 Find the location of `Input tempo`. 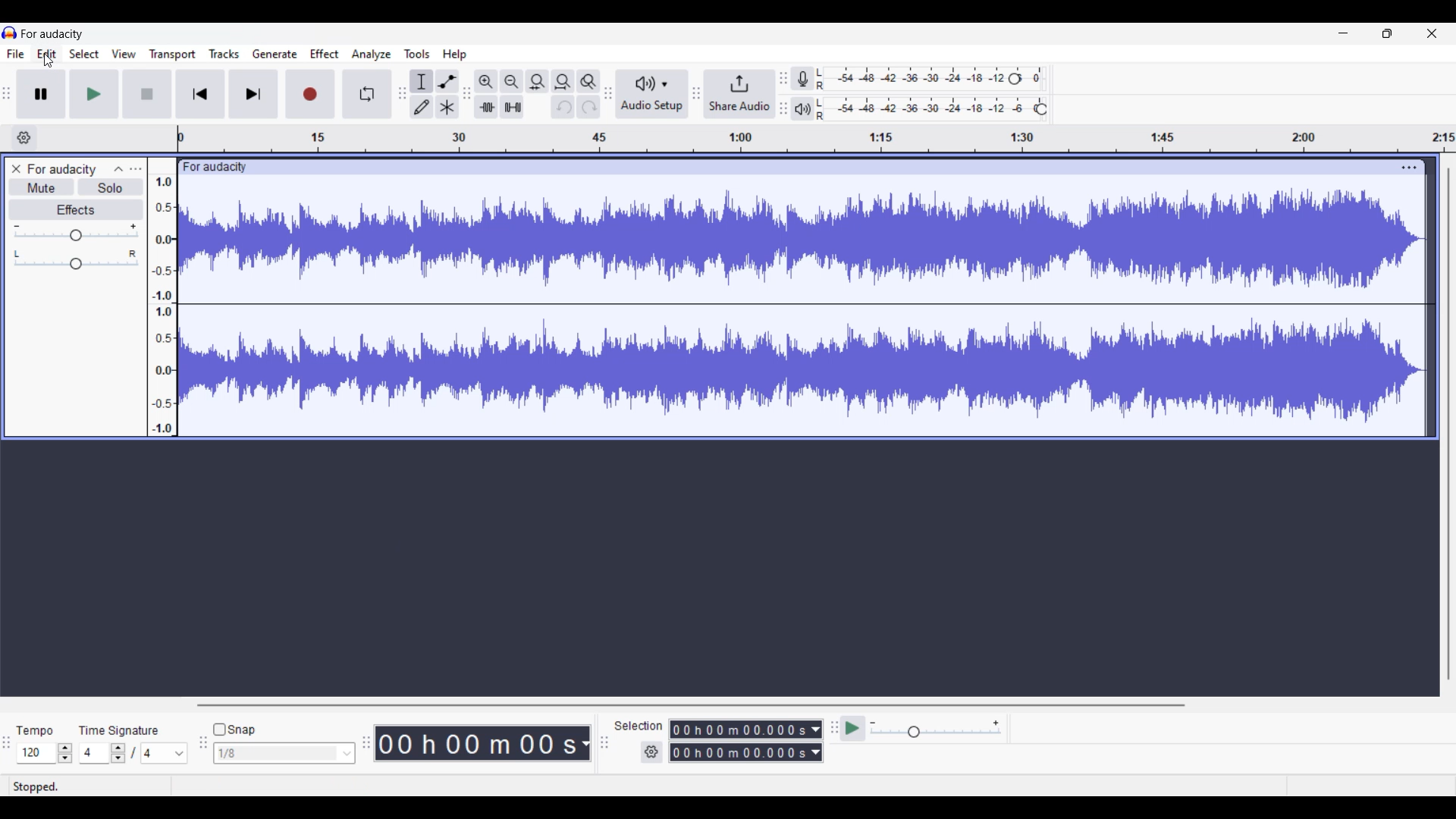

Input tempo is located at coordinates (36, 753).